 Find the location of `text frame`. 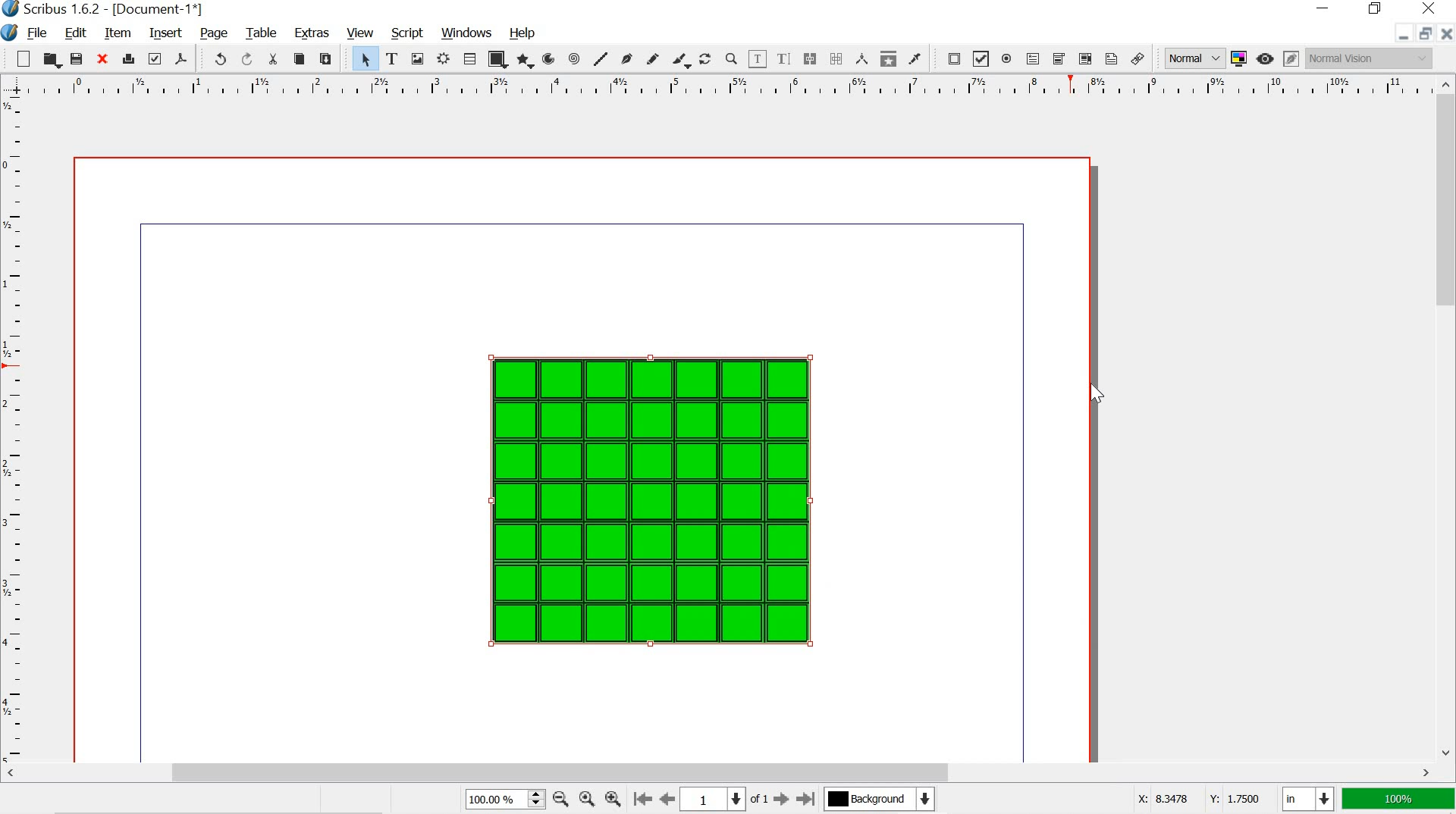

text frame is located at coordinates (393, 59).